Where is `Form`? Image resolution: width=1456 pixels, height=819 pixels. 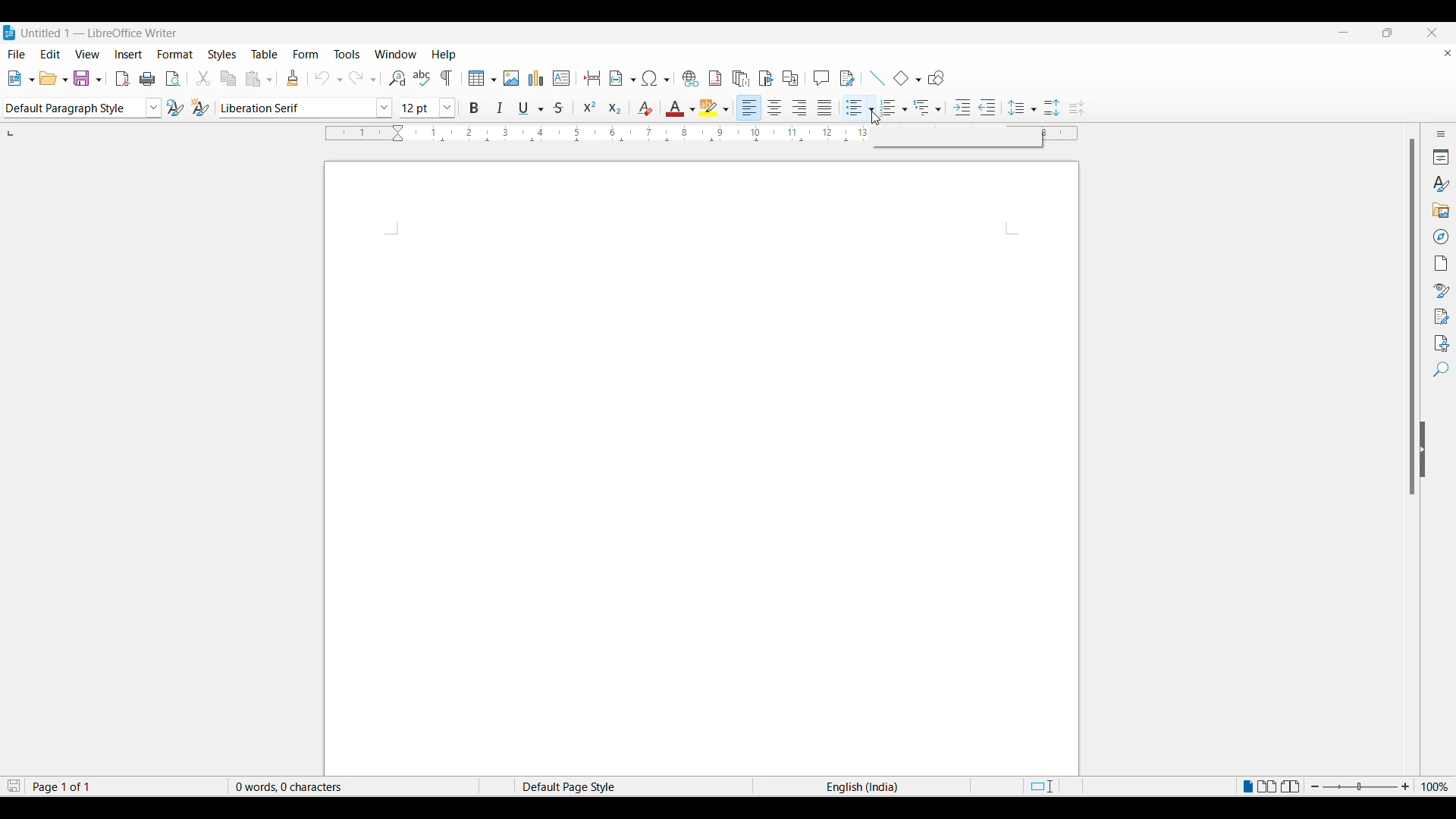
Form is located at coordinates (306, 54).